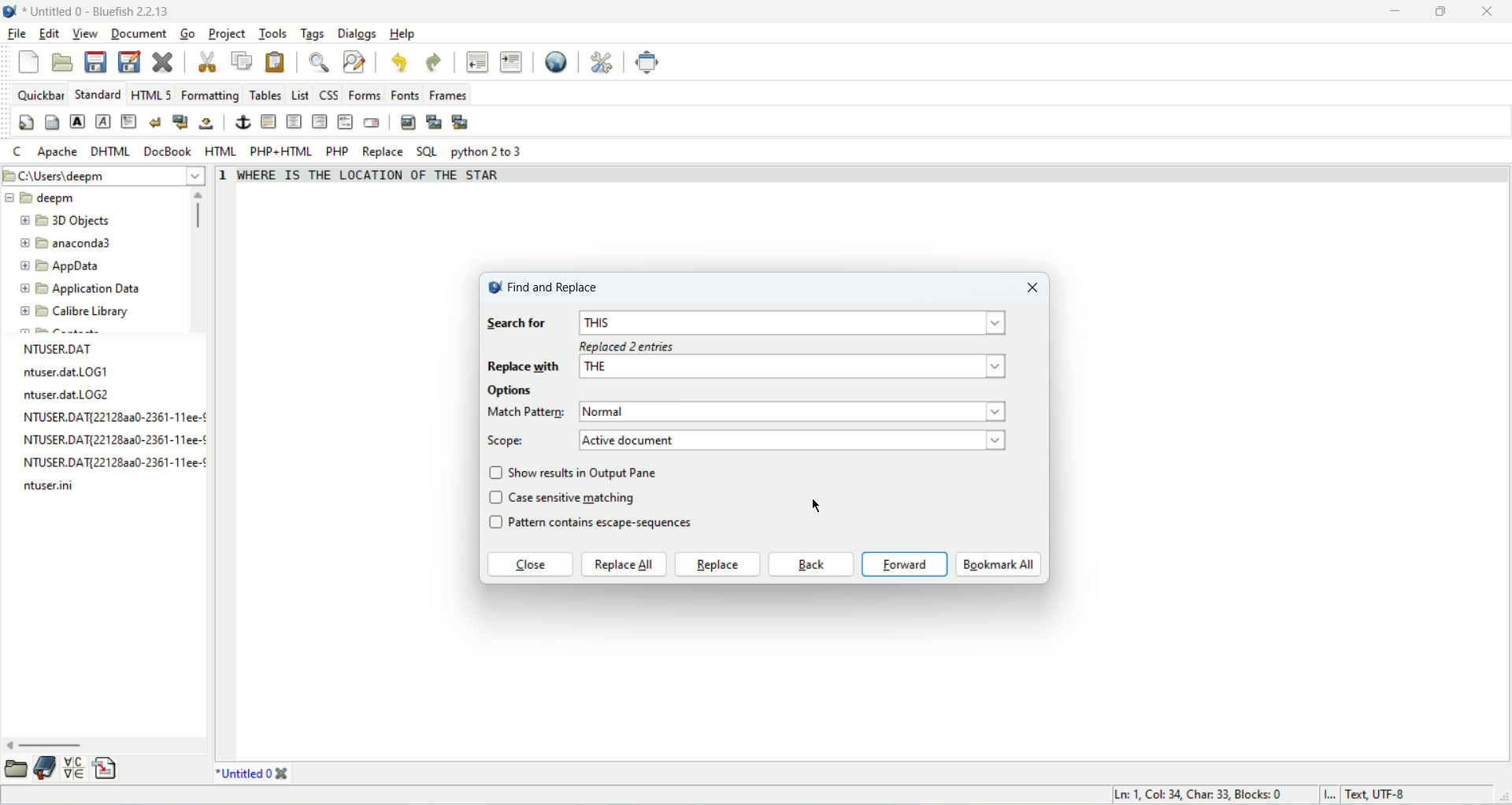 This screenshot has height=805, width=1512. I want to click on edit, so click(48, 35).